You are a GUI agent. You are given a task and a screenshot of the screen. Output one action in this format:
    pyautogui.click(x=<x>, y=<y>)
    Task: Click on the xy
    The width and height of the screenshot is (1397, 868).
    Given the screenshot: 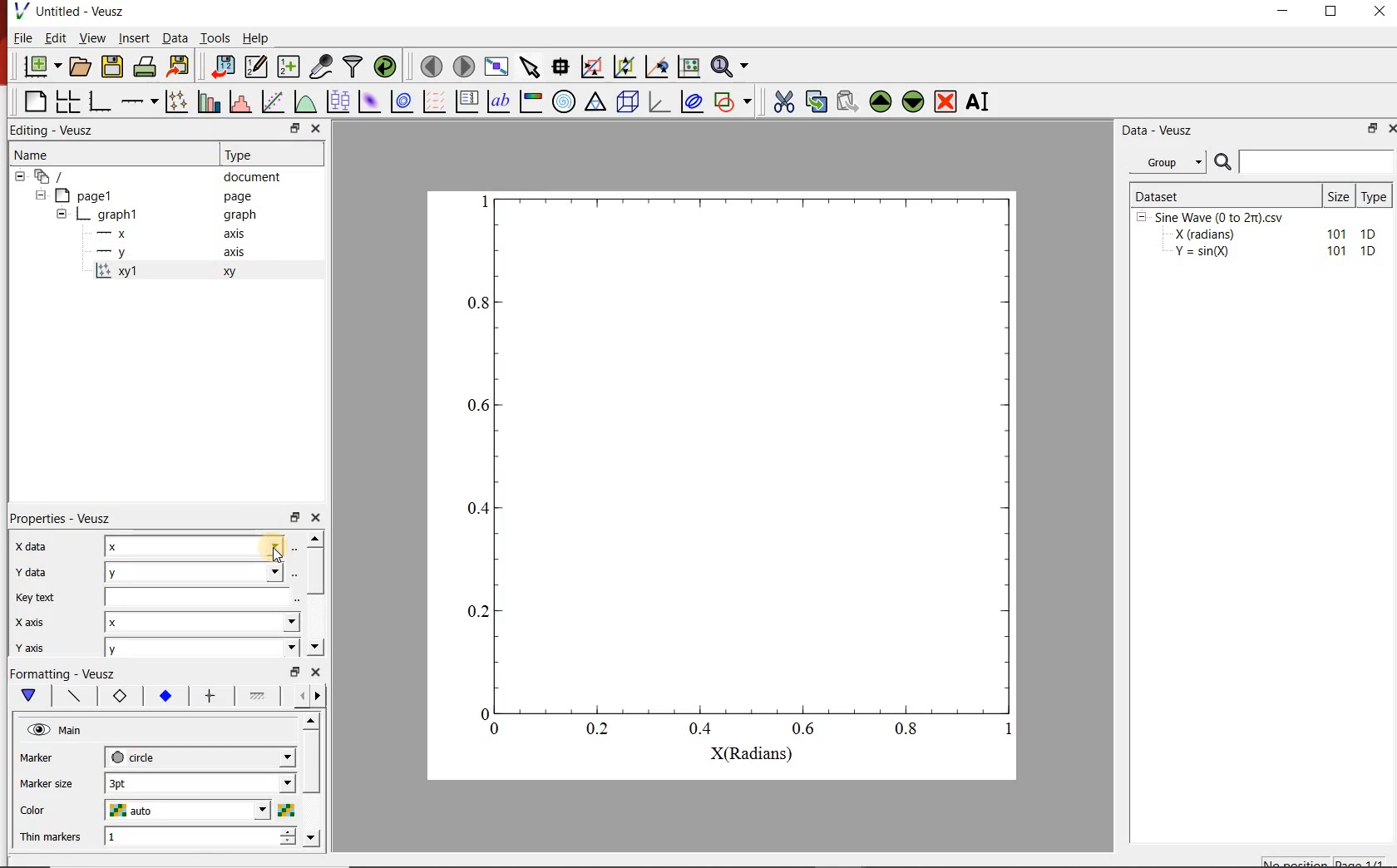 What is the action you would take?
    pyautogui.click(x=116, y=696)
    